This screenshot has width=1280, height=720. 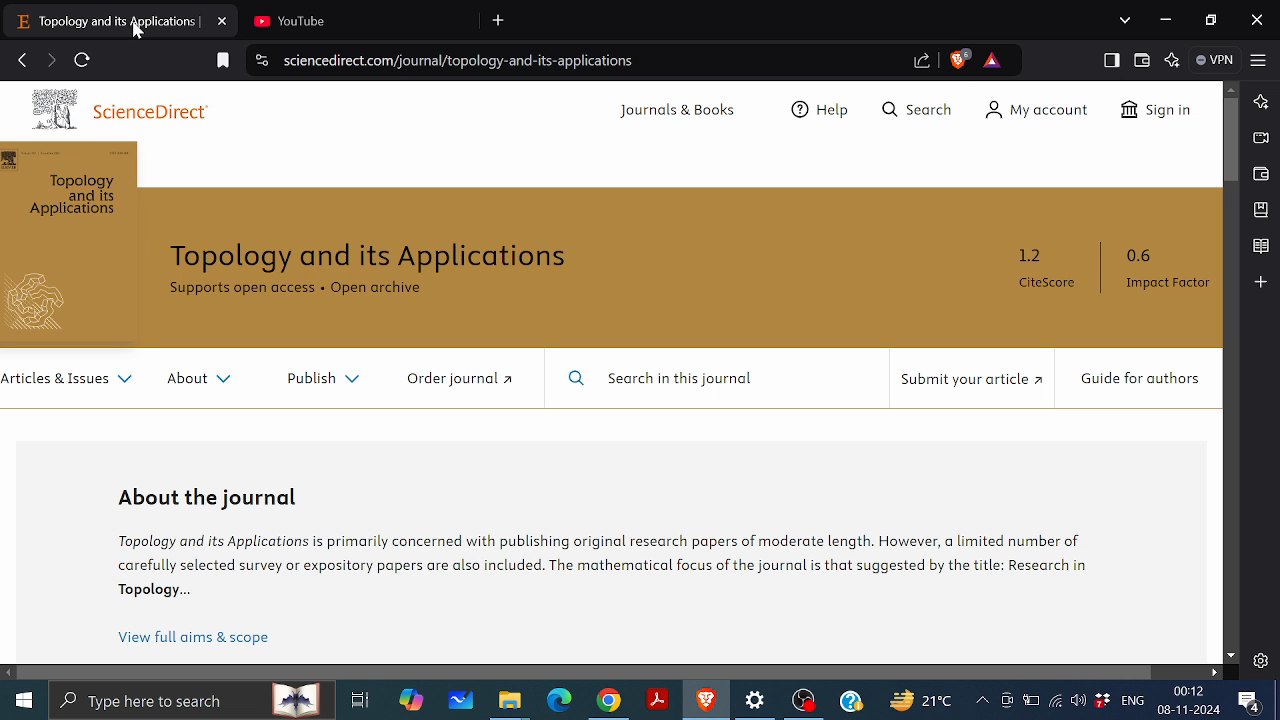 What do you see at coordinates (992, 60) in the screenshot?
I see `Rewards` at bounding box center [992, 60].